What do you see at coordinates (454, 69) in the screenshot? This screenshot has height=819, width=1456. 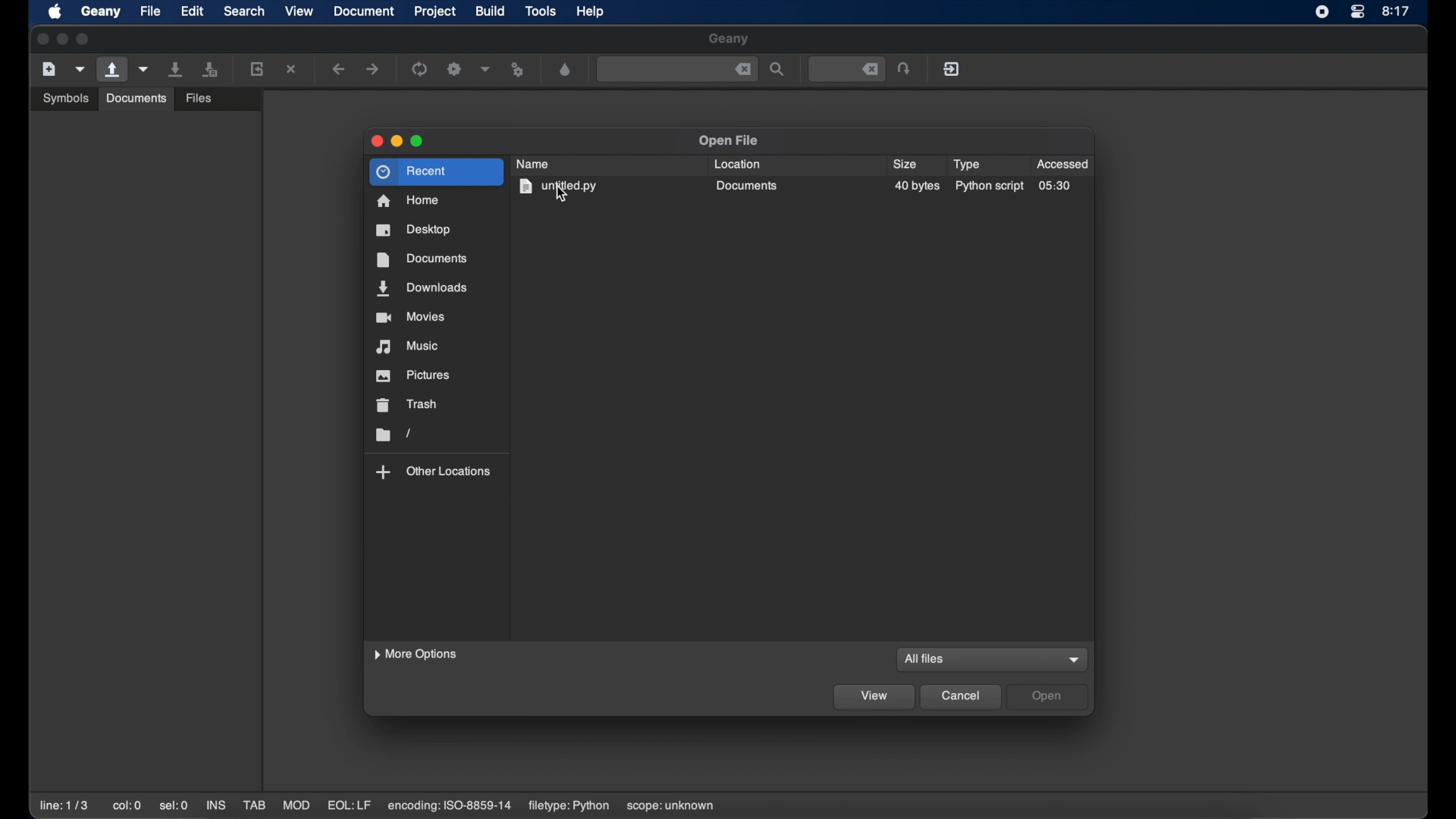 I see `build the current file` at bounding box center [454, 69].